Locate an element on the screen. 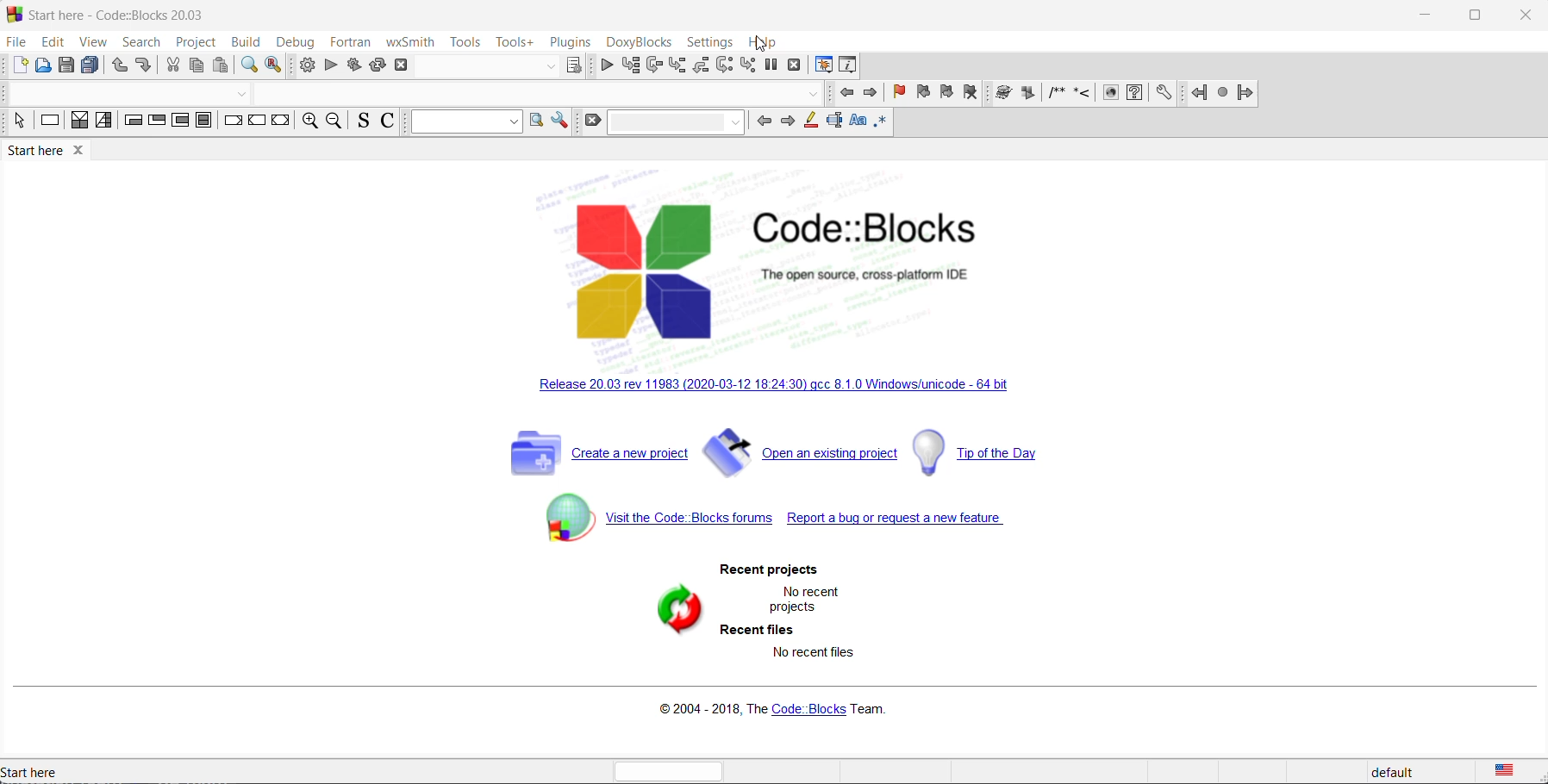 The width and height of the screenshot is (1548, 784). edit is located at coordinates (53, 40).